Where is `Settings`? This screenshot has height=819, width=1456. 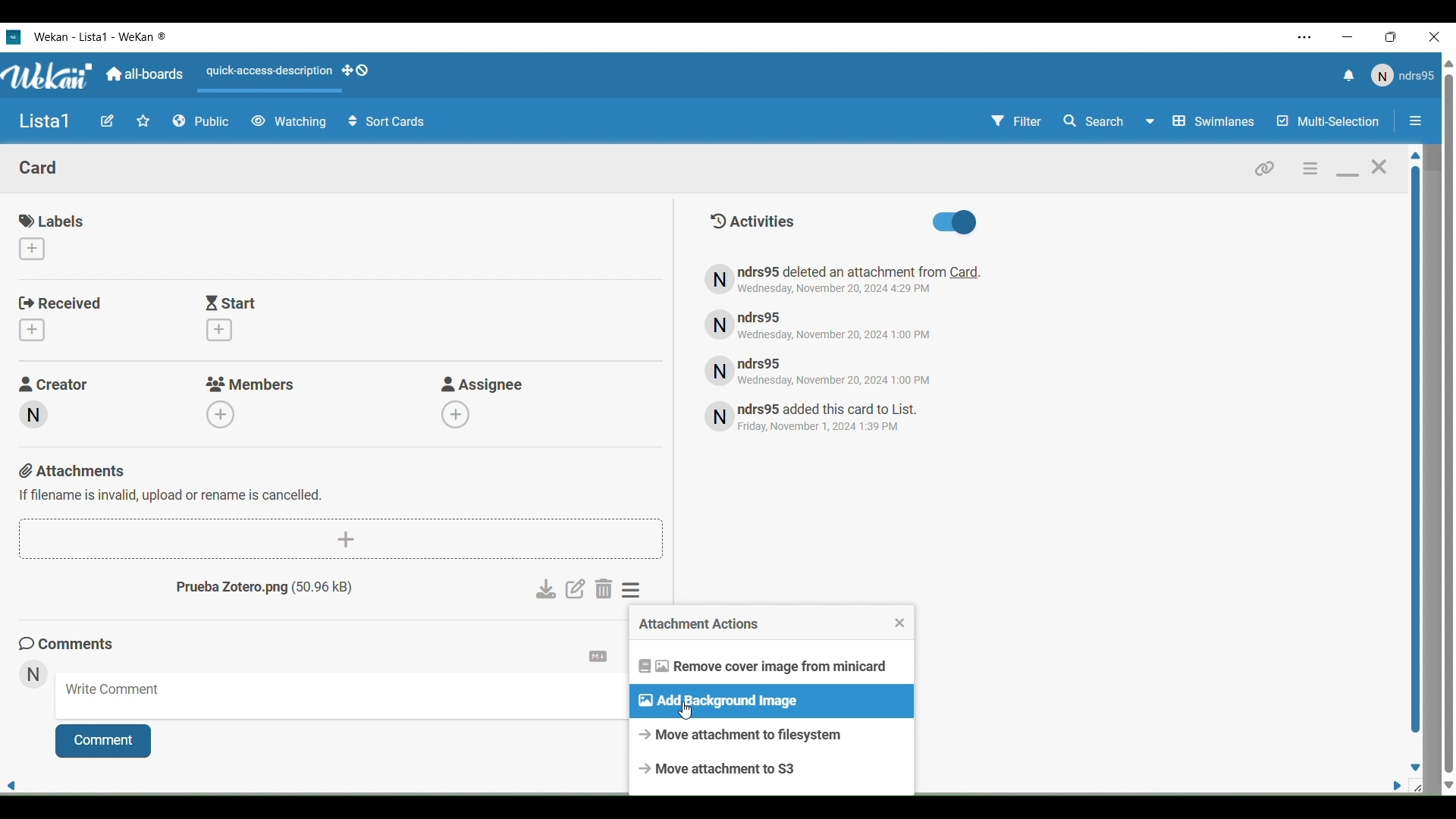 Settings is located at coordinates (1312, 168).